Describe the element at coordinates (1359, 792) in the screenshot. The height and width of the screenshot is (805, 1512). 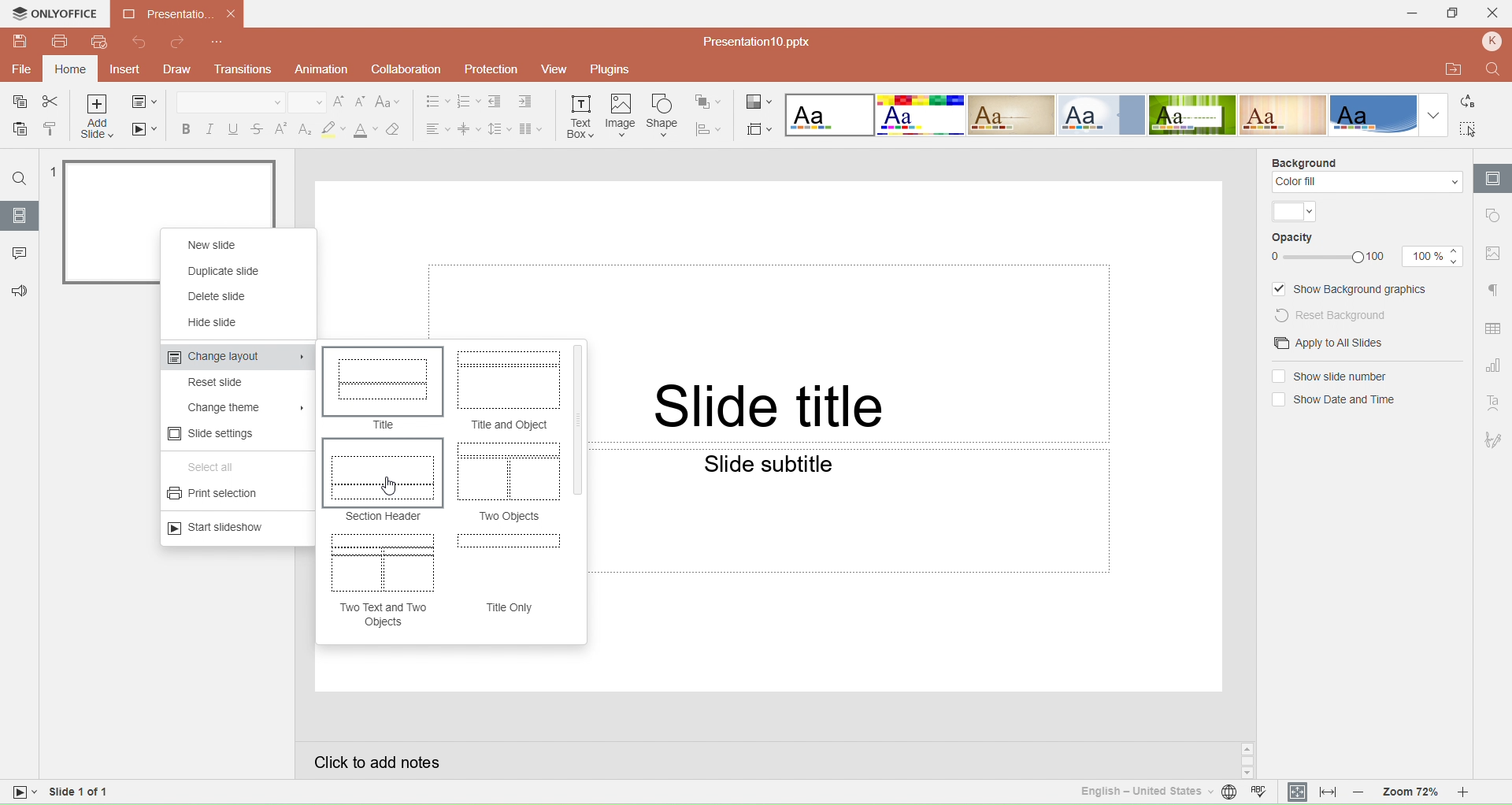
I see `Zoom out` at that location.